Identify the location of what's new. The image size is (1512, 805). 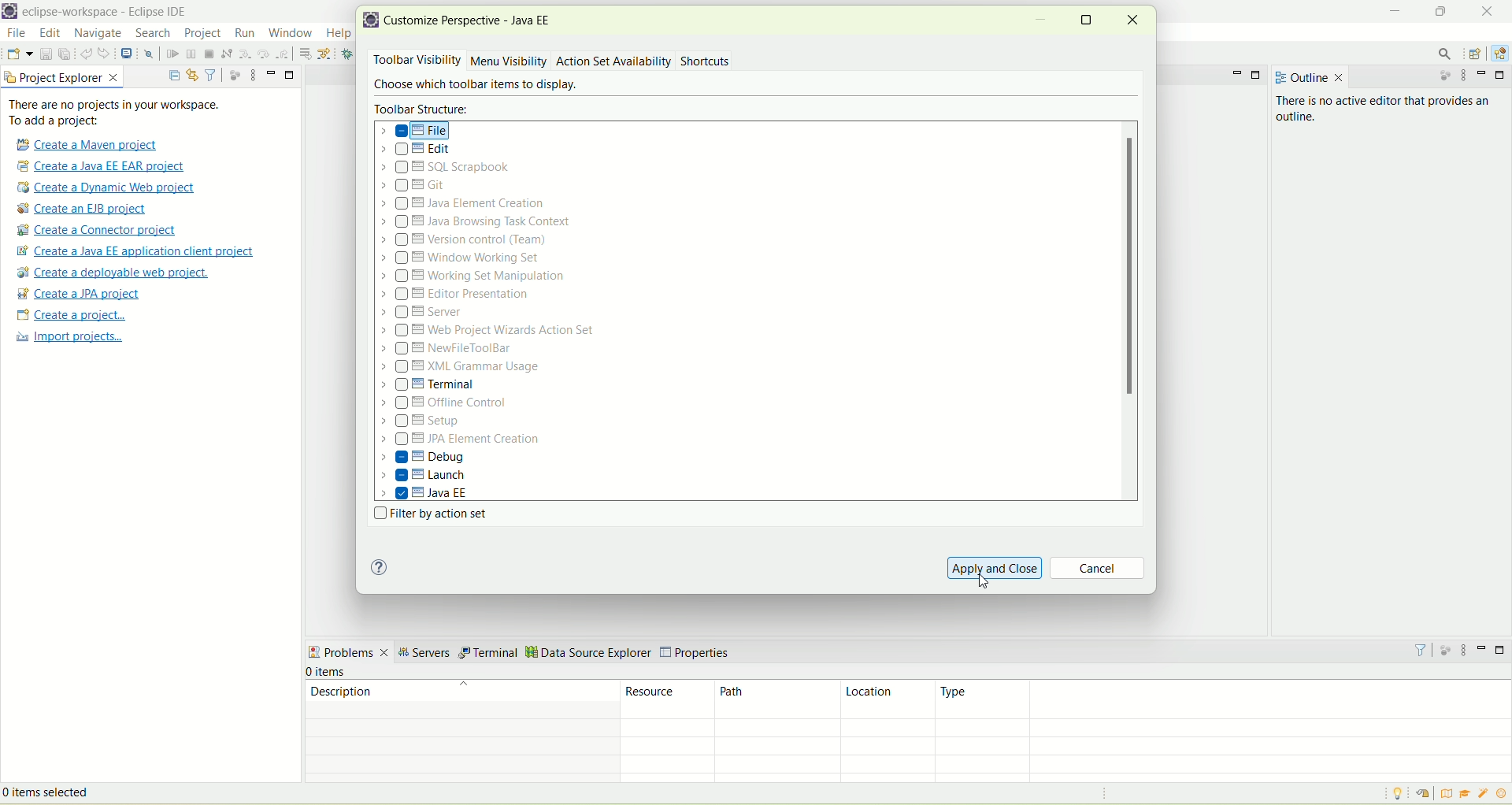
(1503, 794).